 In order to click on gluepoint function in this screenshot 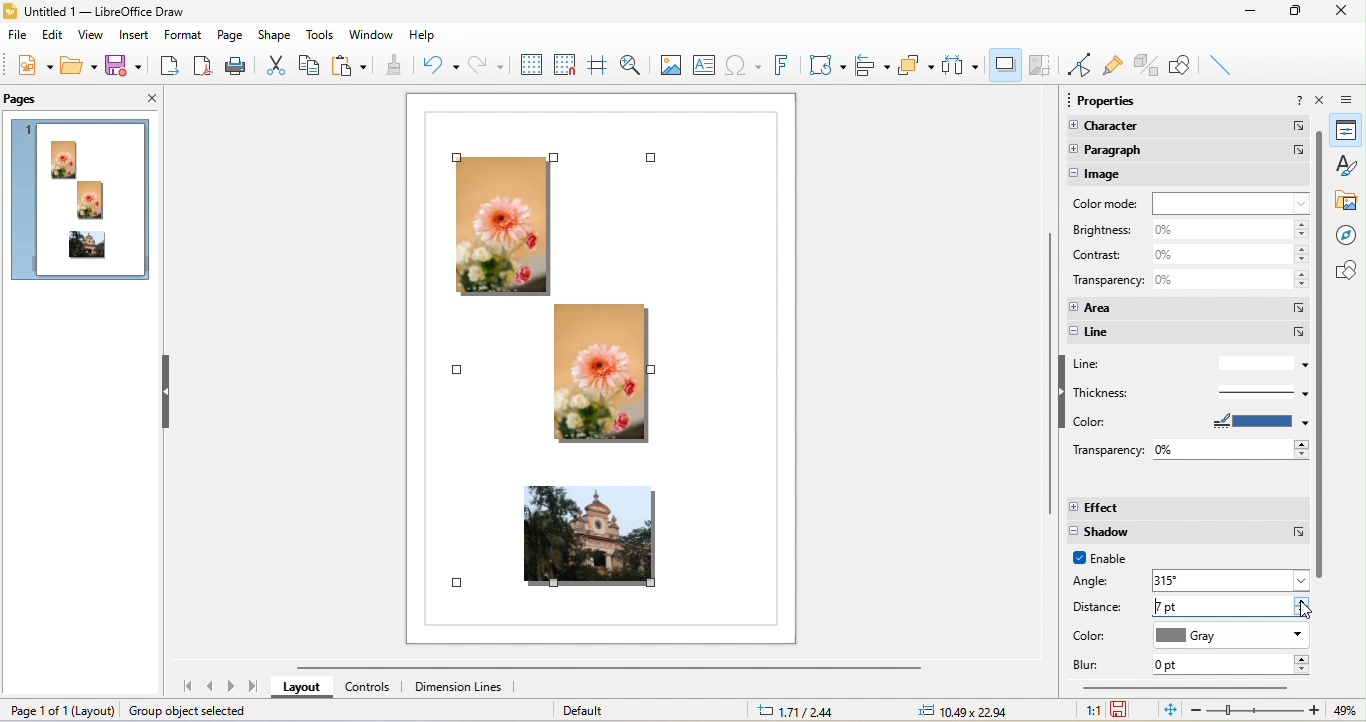, I will do `click(1114, 66)`.